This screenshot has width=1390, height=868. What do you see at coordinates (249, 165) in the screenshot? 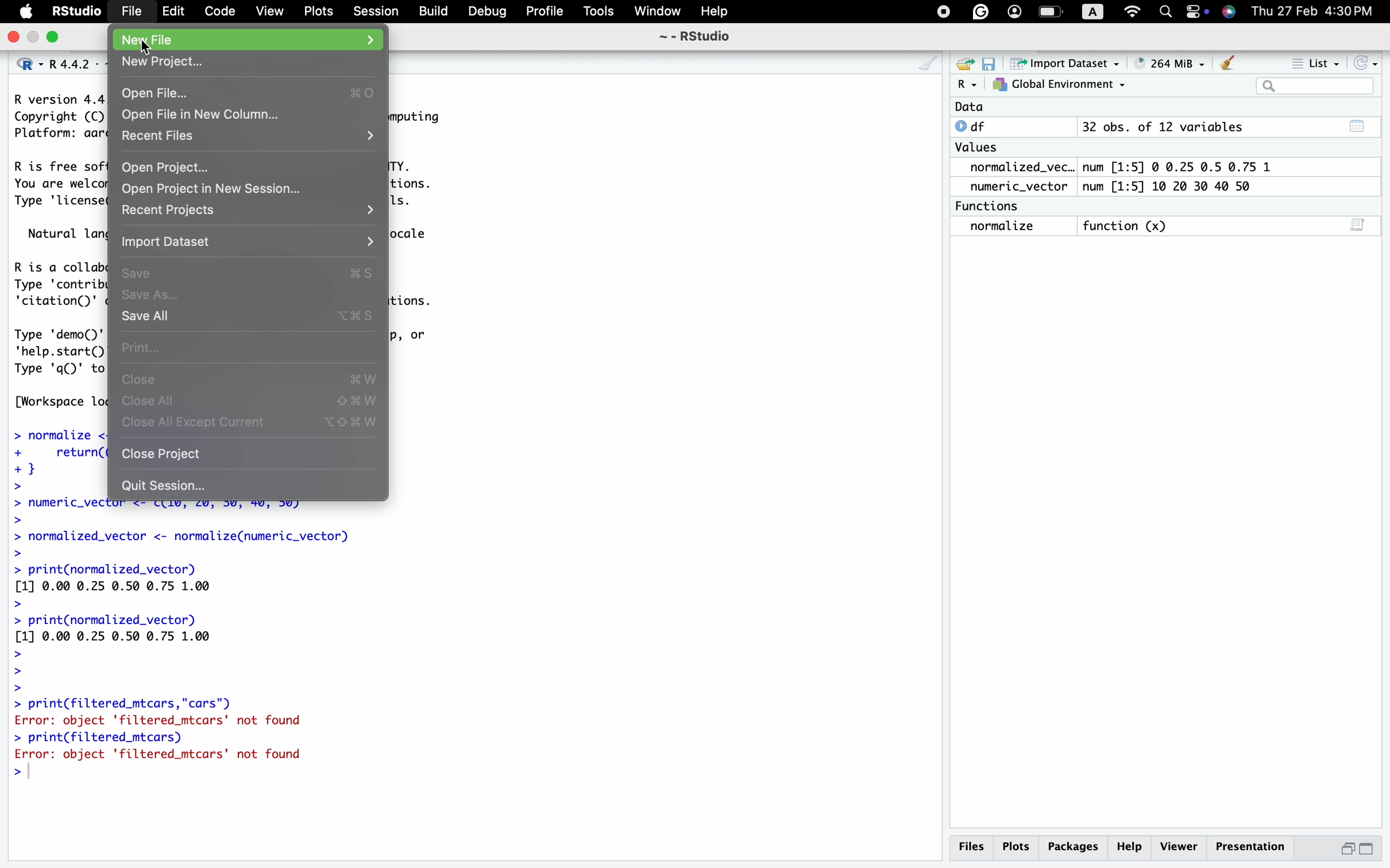
I see `Open project` at bounding box center [249, 165].